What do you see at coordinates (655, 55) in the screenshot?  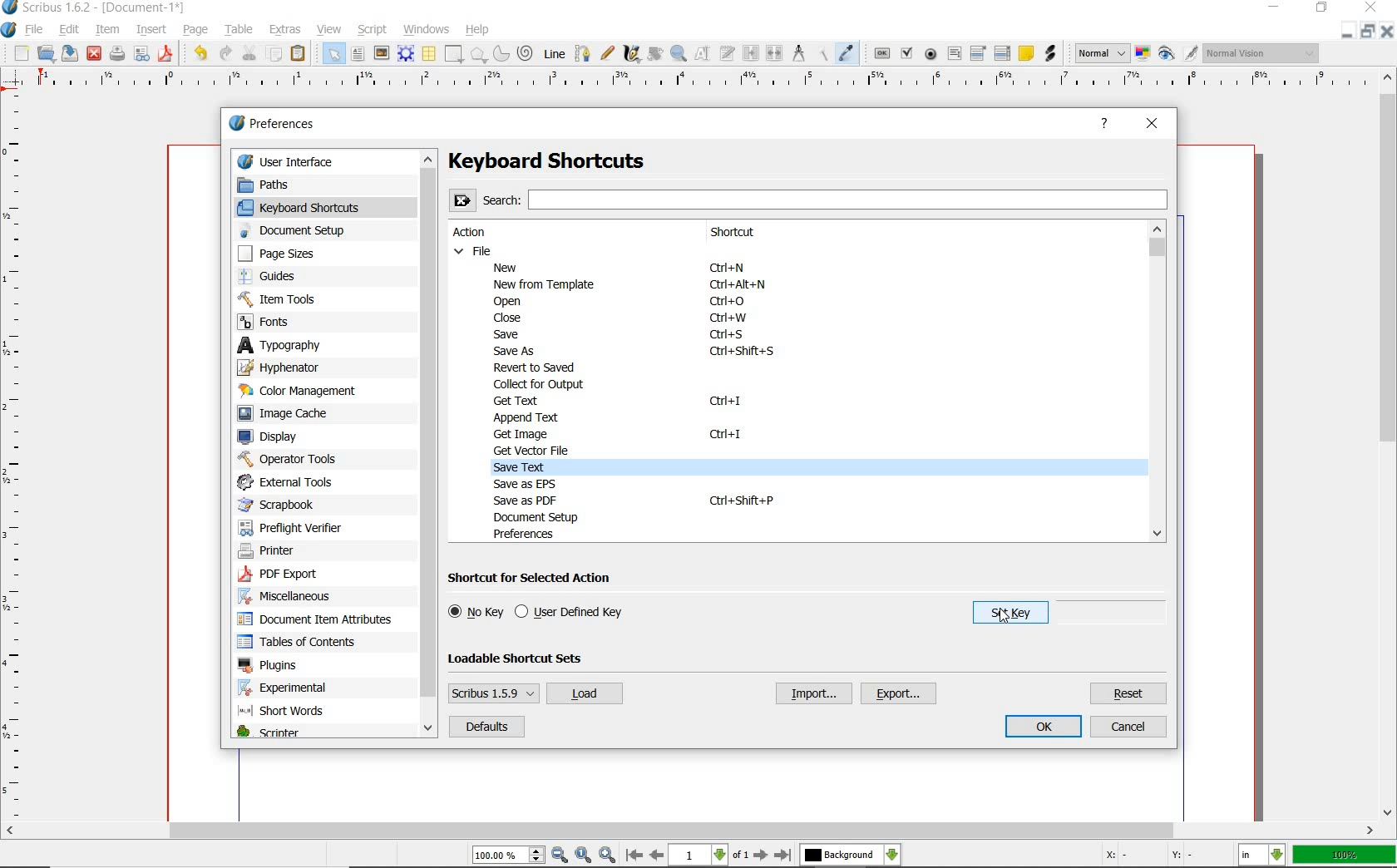 I see `rotate item` at bounding box center [655, 55].